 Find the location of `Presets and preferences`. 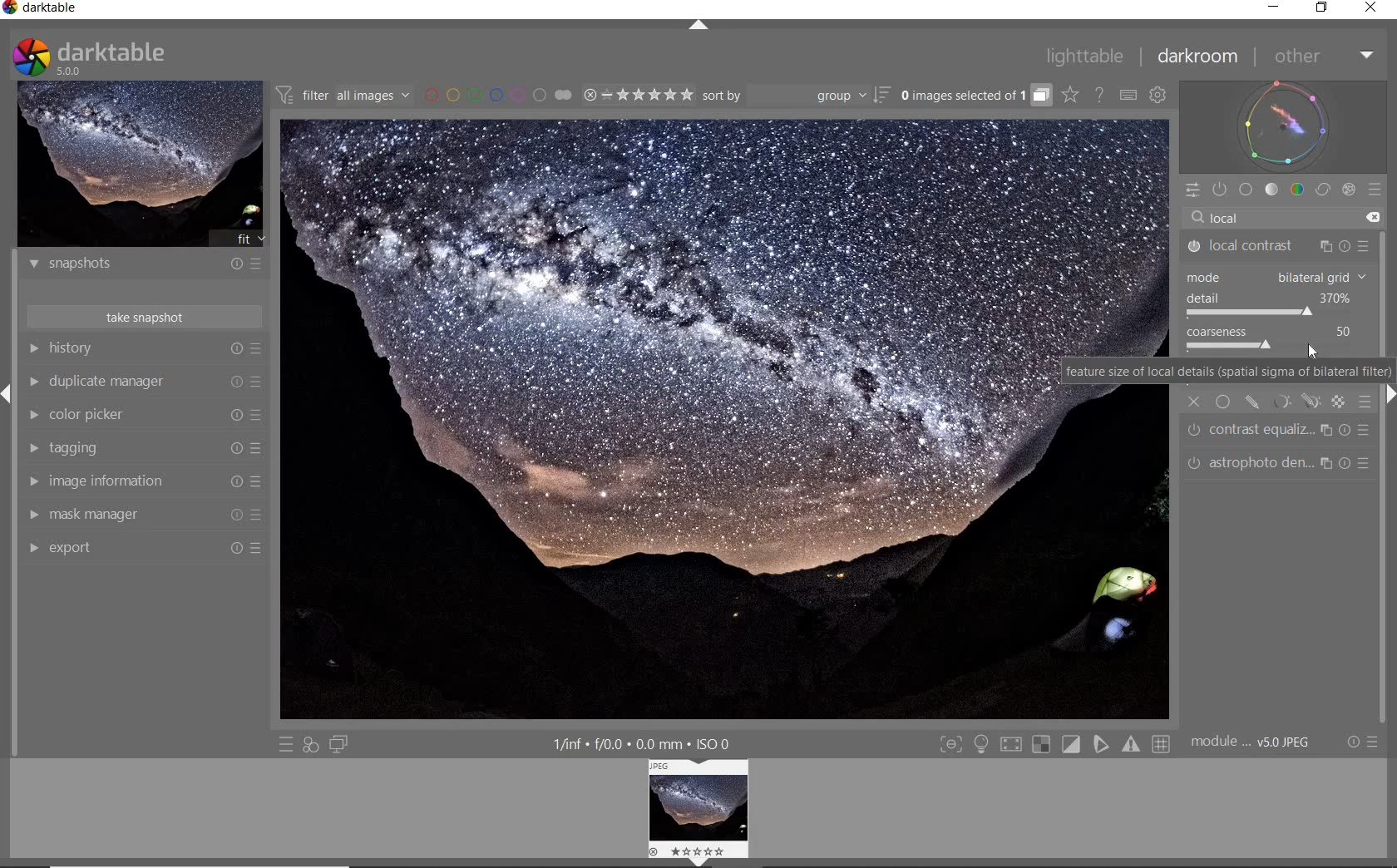

Presets and preferences is located at coordinates (259, 378).